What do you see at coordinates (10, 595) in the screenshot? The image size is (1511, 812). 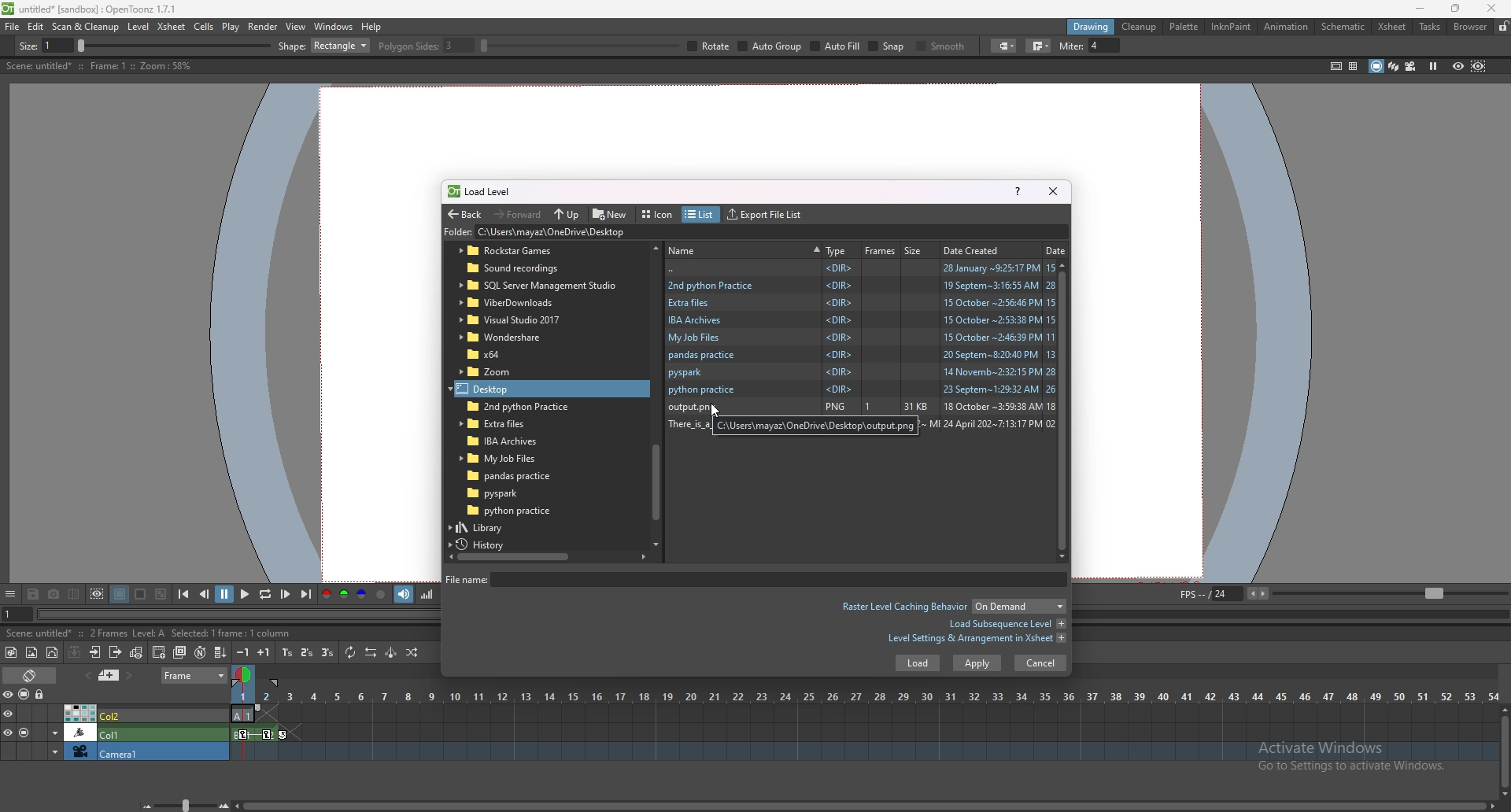 I see `options` at bounding box center [10, 595].